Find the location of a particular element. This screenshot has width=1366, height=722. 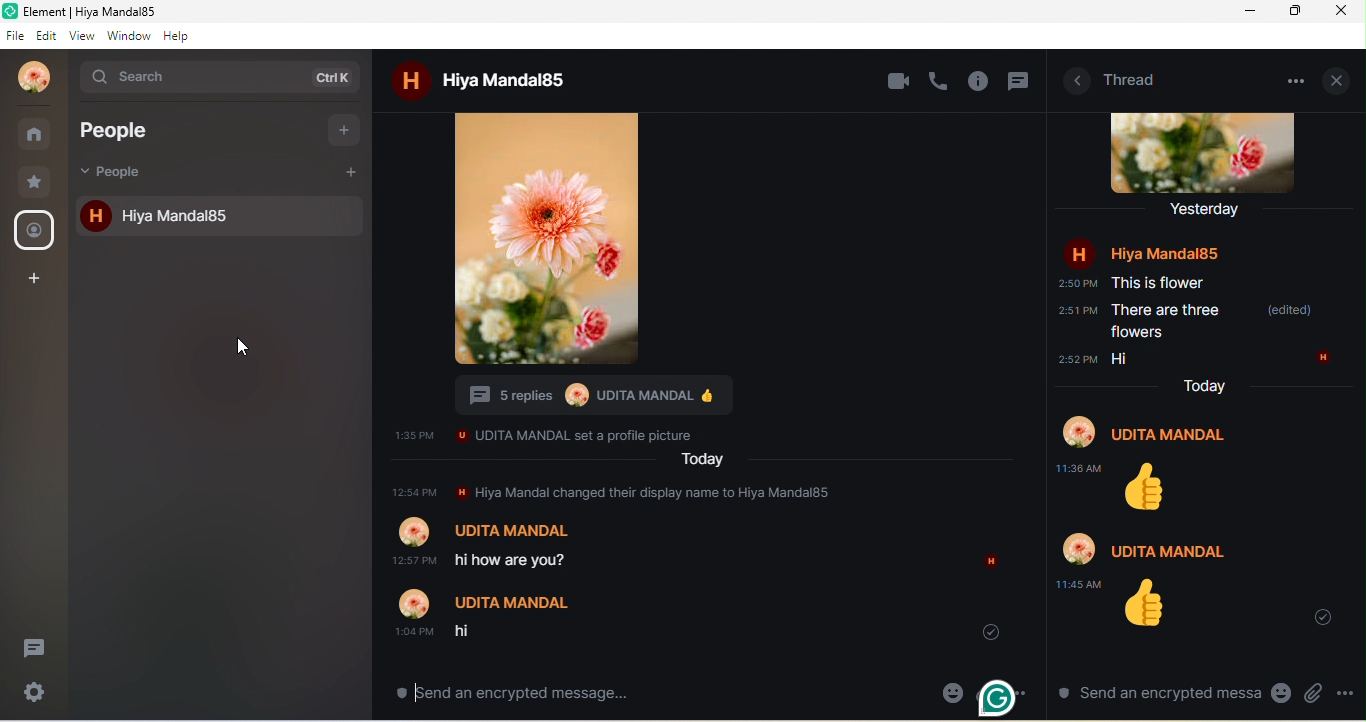

12:57 PM is located at coordinates (406, 562).